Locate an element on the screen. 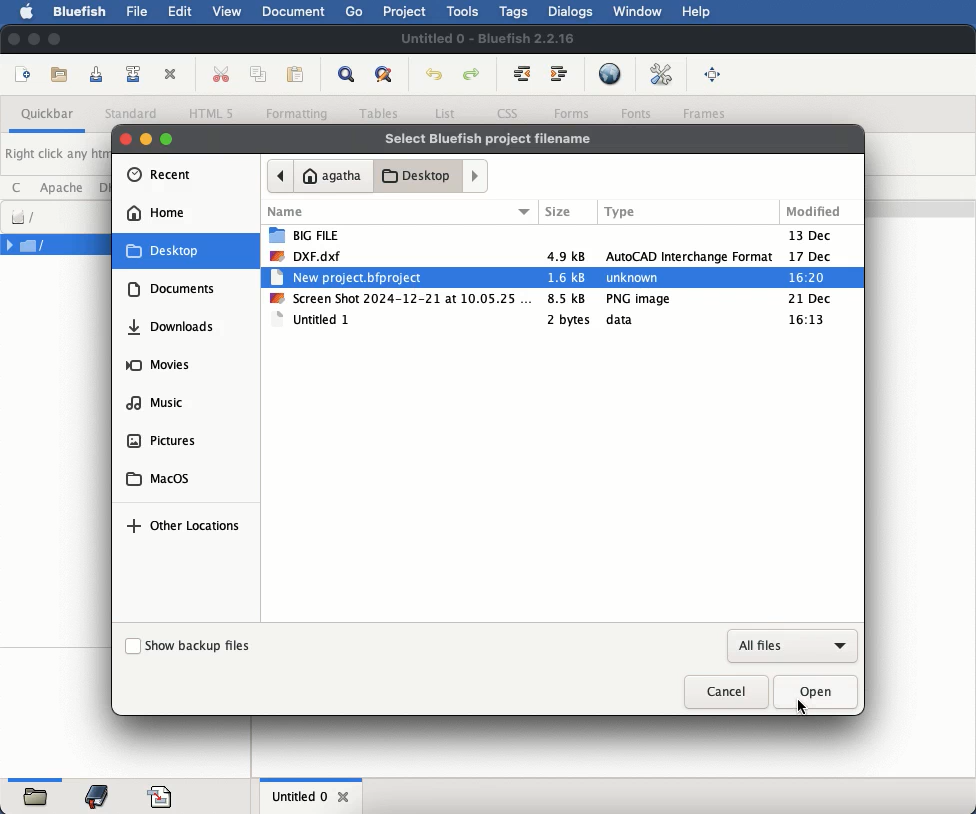  document is located at coordinates (293, 10).